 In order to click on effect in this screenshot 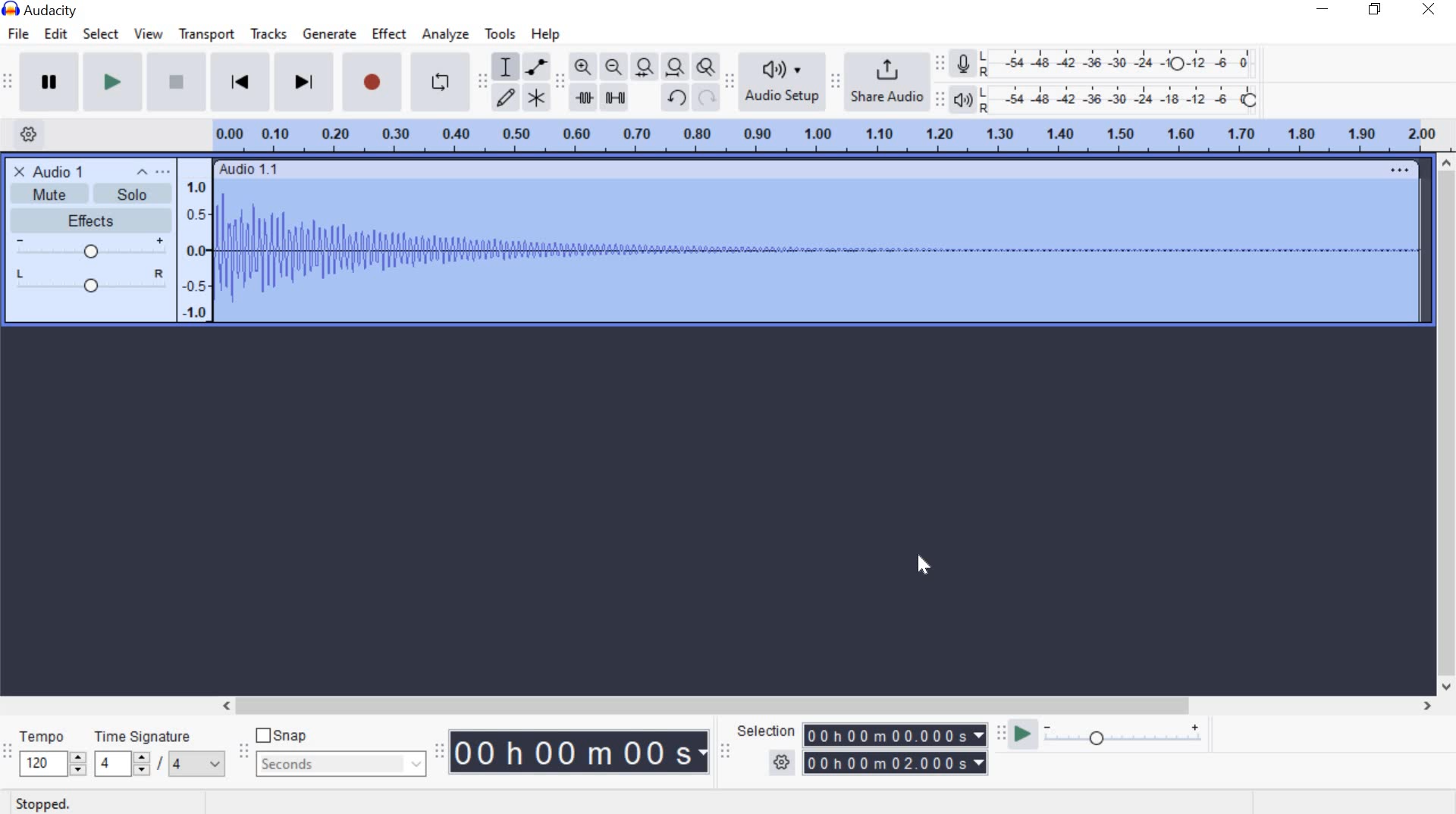, I will do `click(390, 35)`.